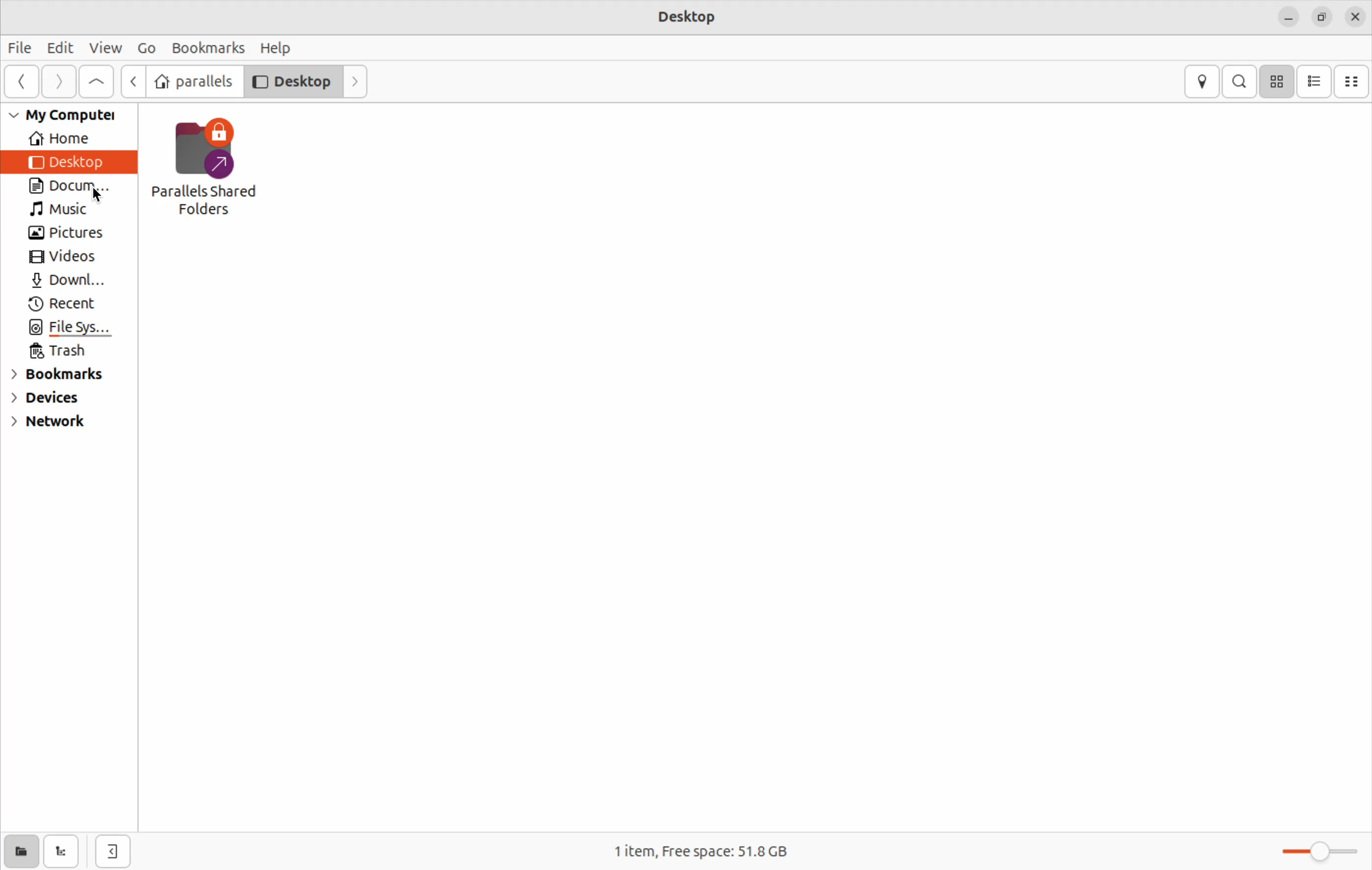 The image size is (1372, 870). Describe the element at coordinates (56, 353) in the screenshot. I see `Trash` at that location.